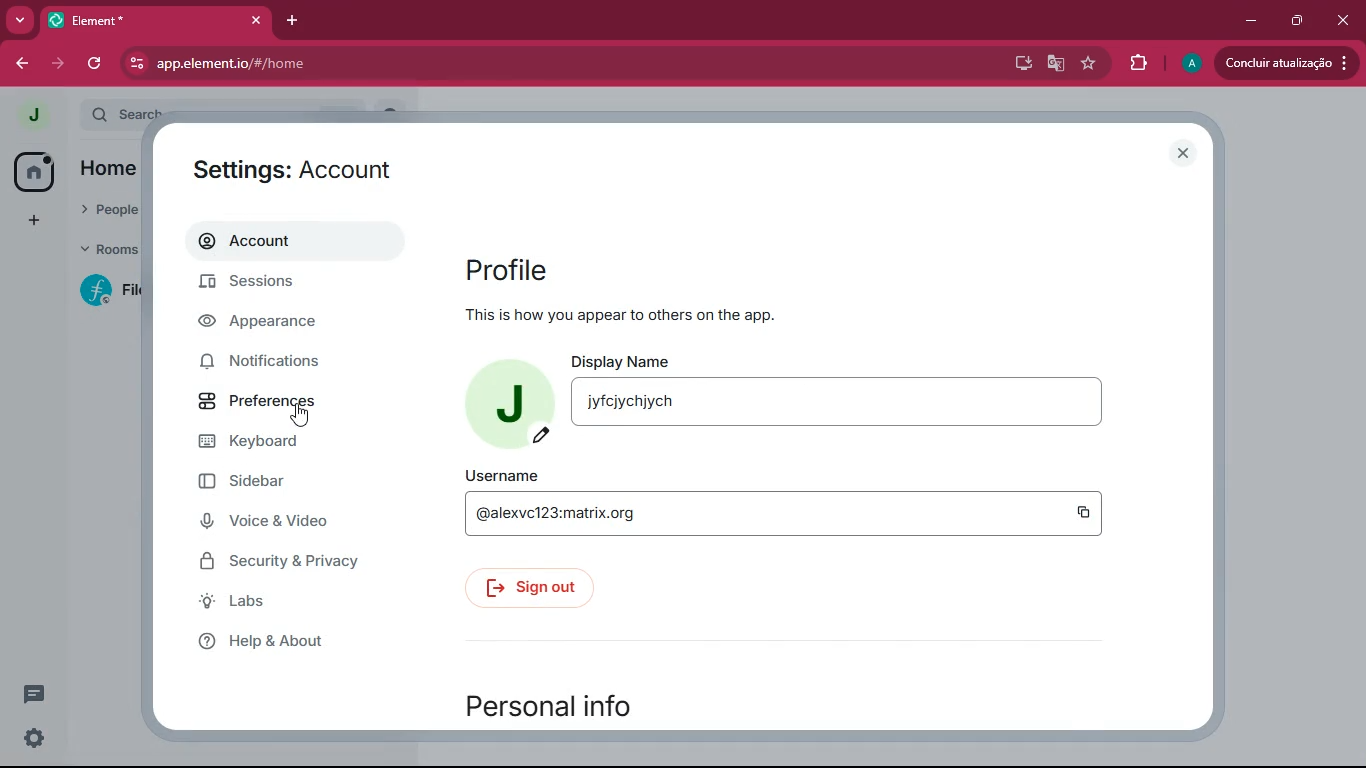 The width and height of the screenshot is (1366, 768). I want to click on close, so click(1182, 151).